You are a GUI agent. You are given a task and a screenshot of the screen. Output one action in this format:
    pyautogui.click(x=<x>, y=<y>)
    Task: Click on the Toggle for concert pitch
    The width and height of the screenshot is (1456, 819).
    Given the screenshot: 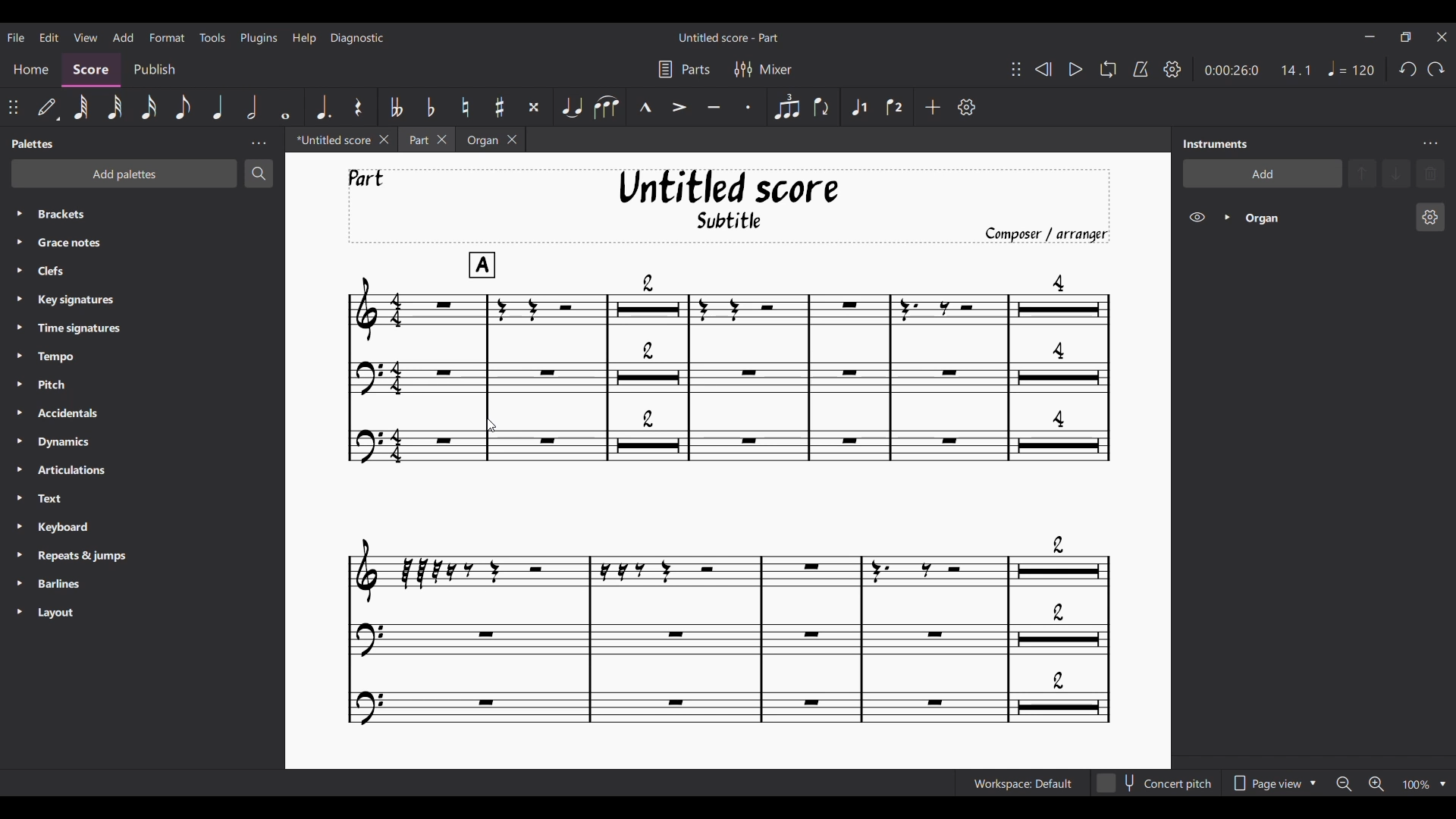 What is the action you would take?
    pyautogui.click(x=1156, y=784)
    